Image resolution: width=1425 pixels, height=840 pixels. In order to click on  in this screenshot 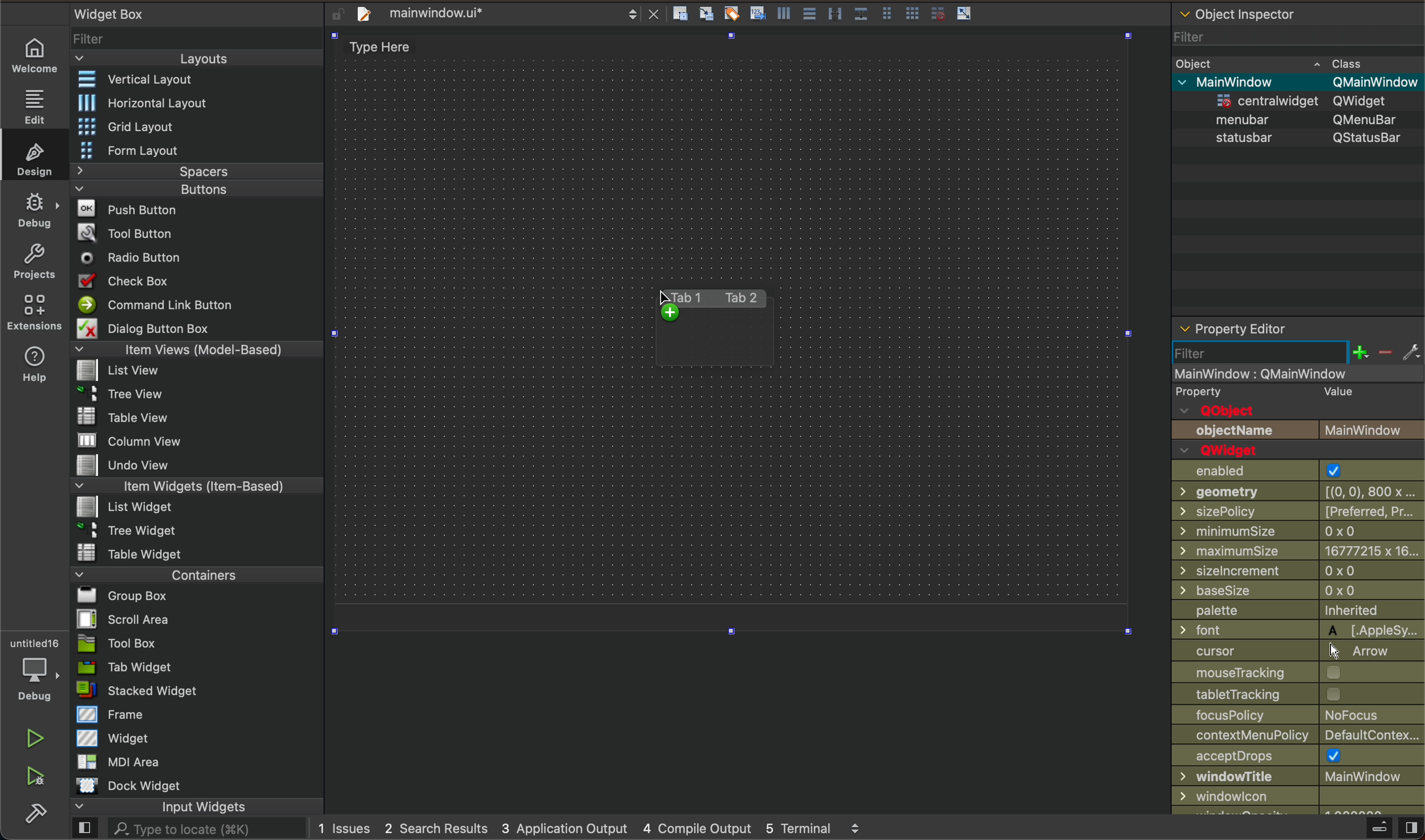, I will do `click(1299, 552)`.